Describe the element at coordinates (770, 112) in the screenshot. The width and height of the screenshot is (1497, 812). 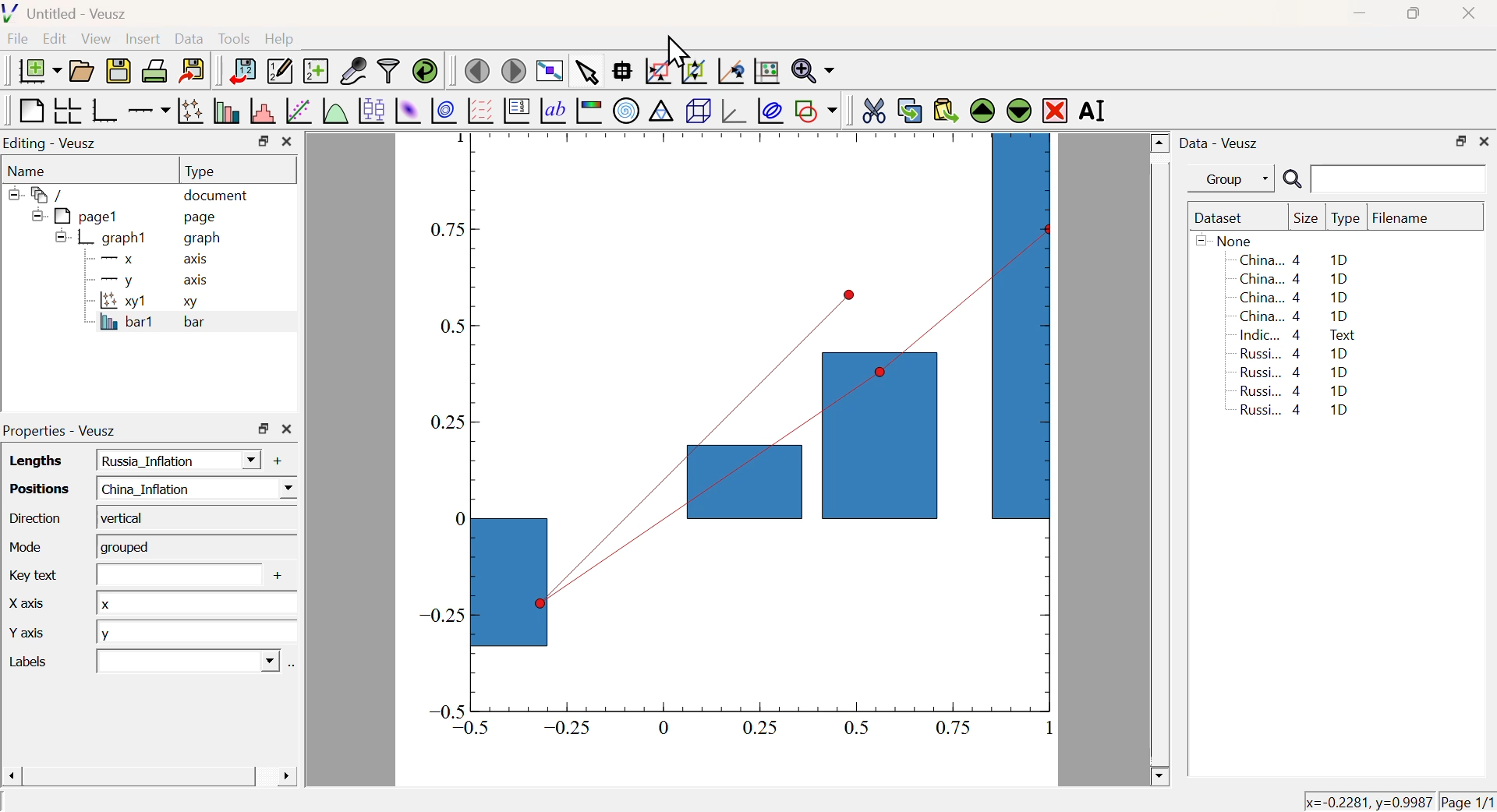
I see `Plot Covariance Ellipses` at that location.